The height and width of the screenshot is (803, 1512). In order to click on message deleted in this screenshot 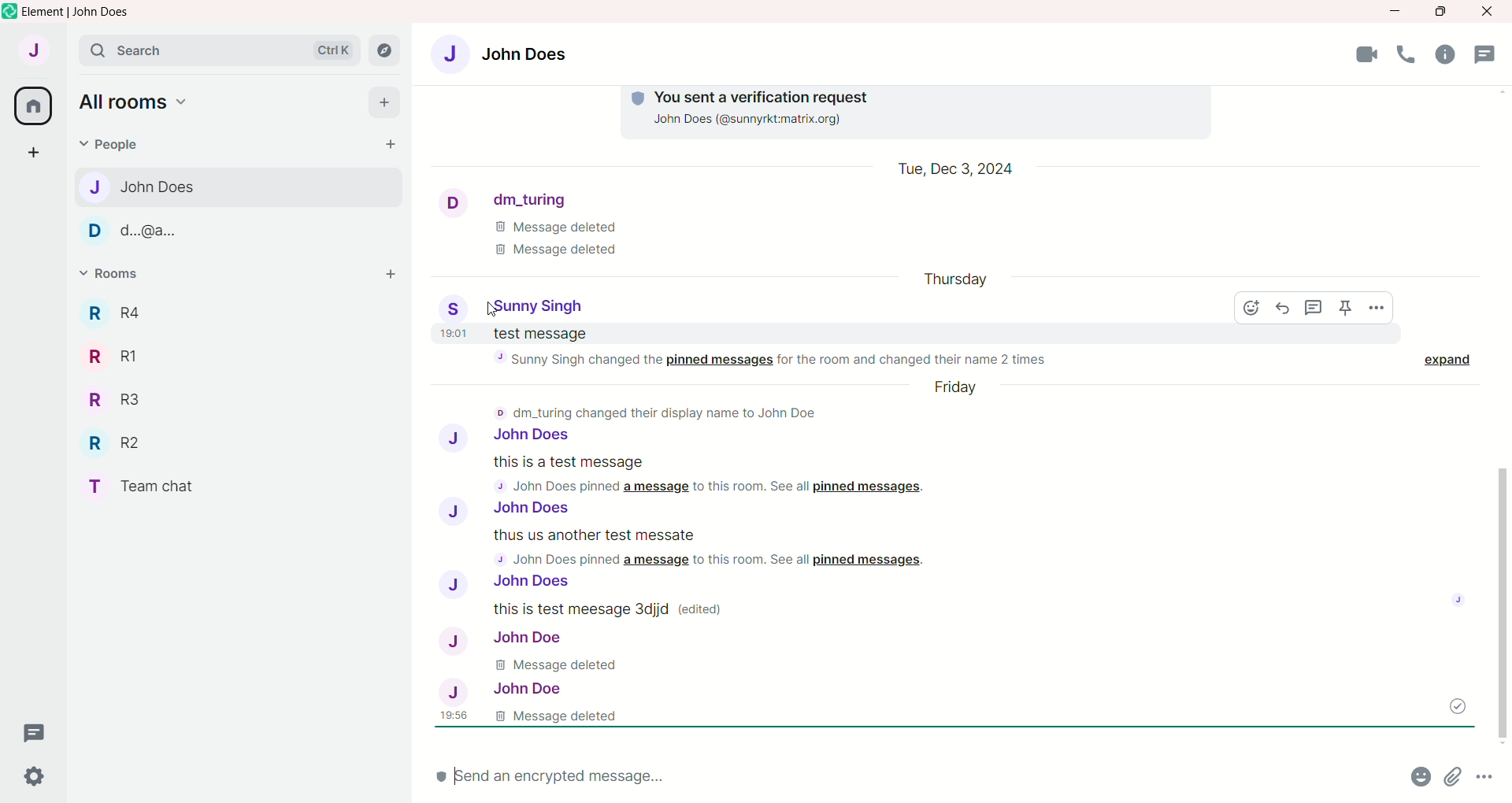, I will do `click(561, 241)`.